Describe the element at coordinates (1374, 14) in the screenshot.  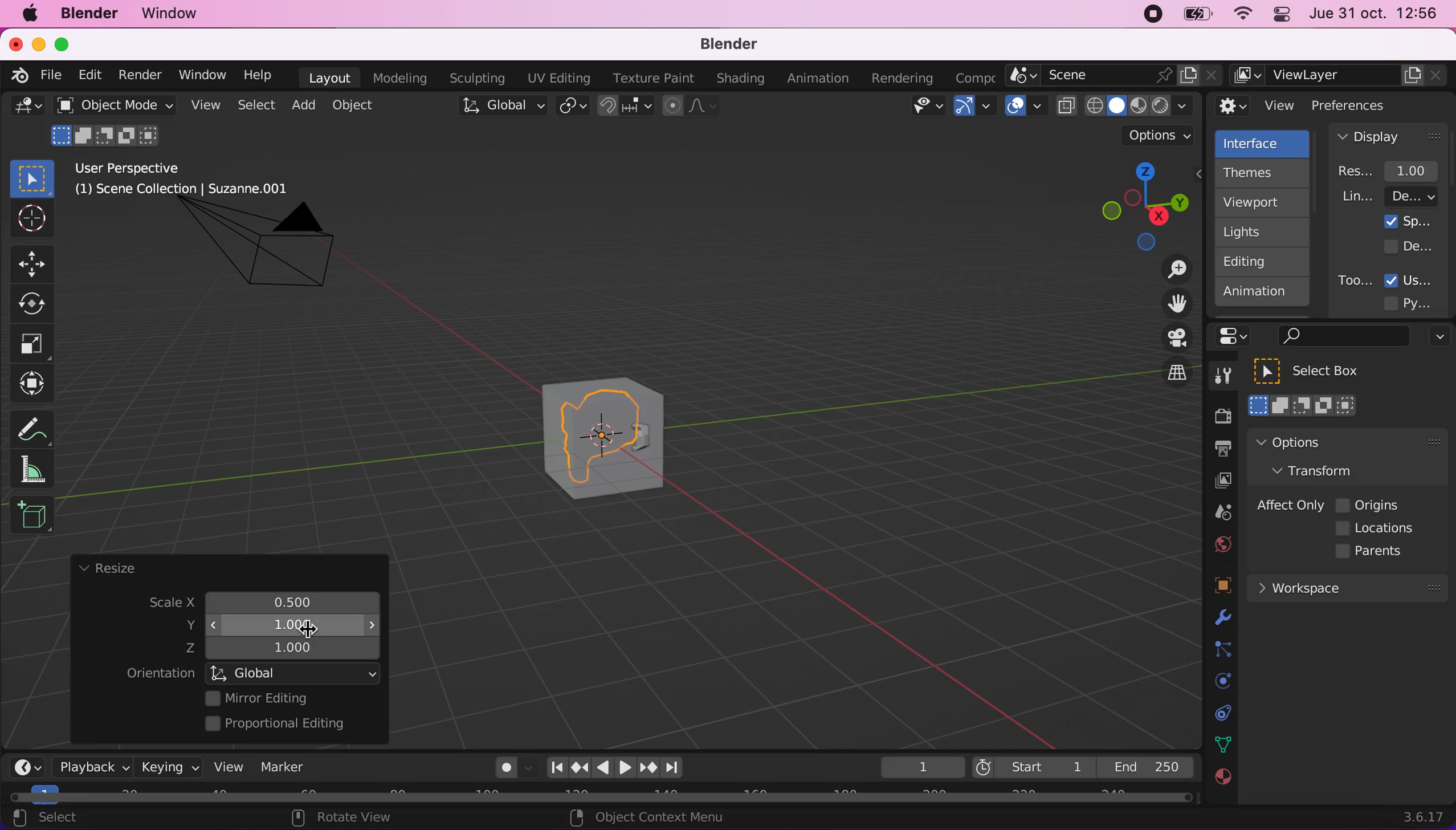
I see `jue 31 oct. 12:56` at that location.